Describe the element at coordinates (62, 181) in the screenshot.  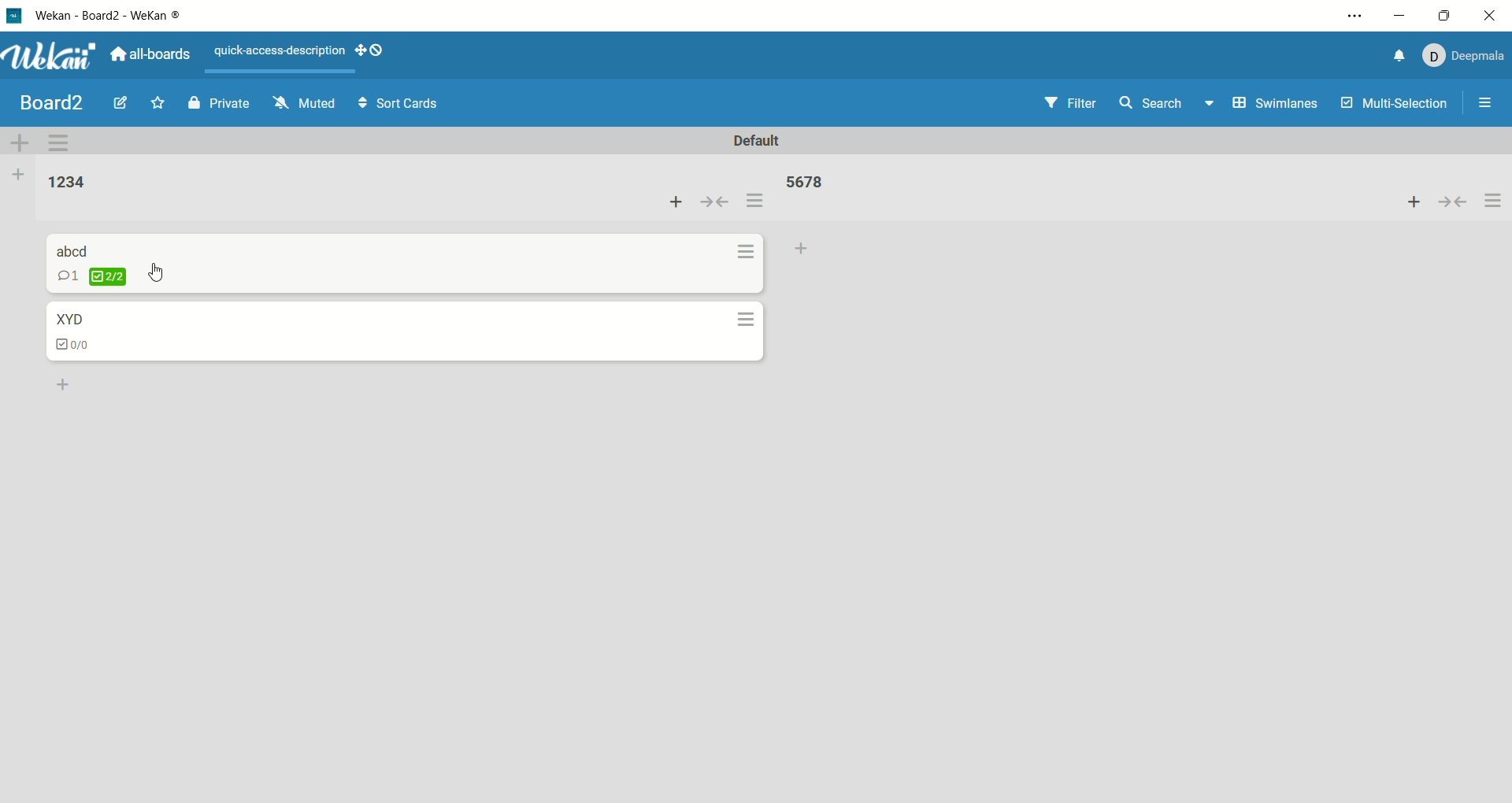
I see `list title` at that location.